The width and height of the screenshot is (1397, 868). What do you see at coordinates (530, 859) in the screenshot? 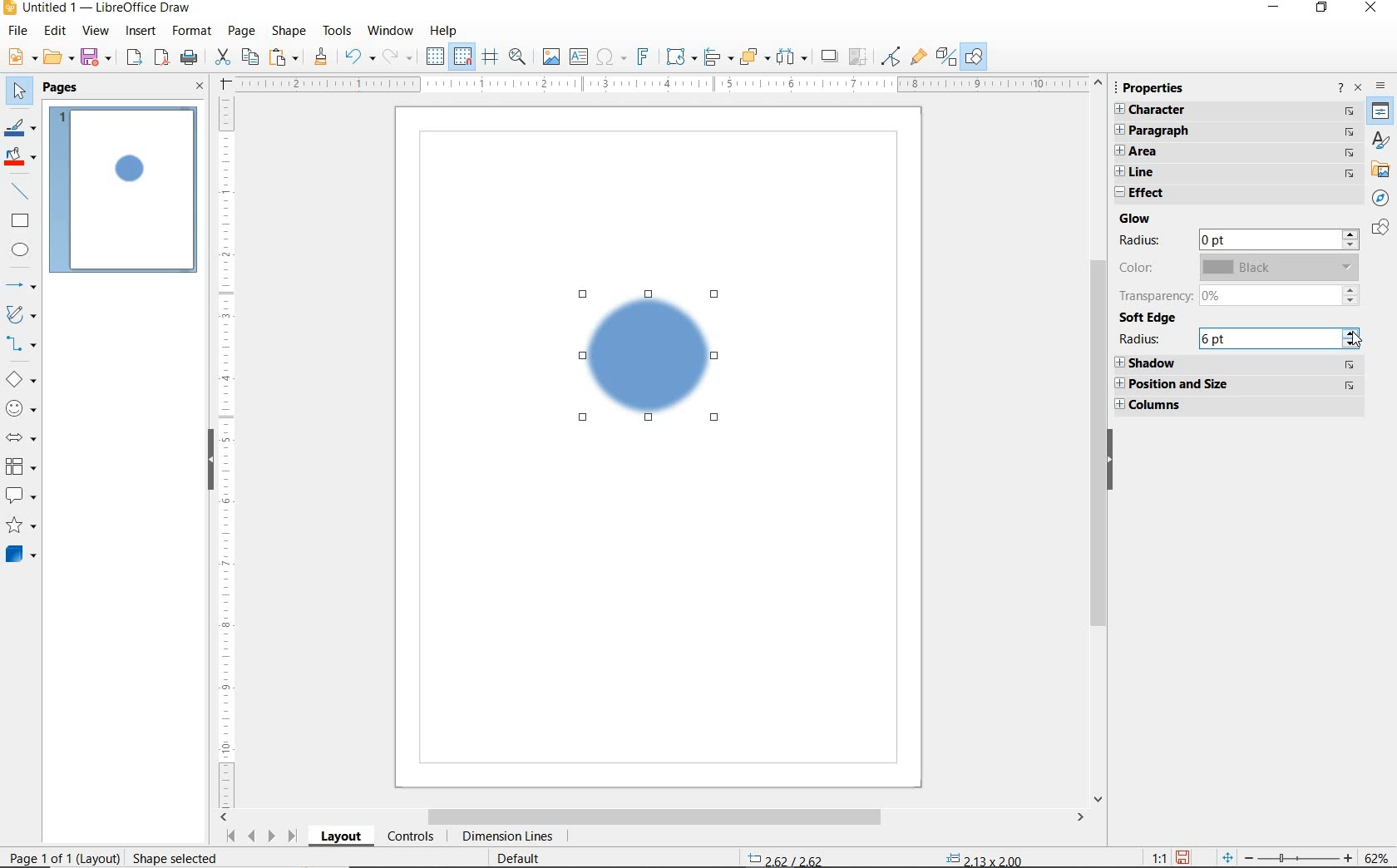
I see `Default` at bounding box center [530, 859].